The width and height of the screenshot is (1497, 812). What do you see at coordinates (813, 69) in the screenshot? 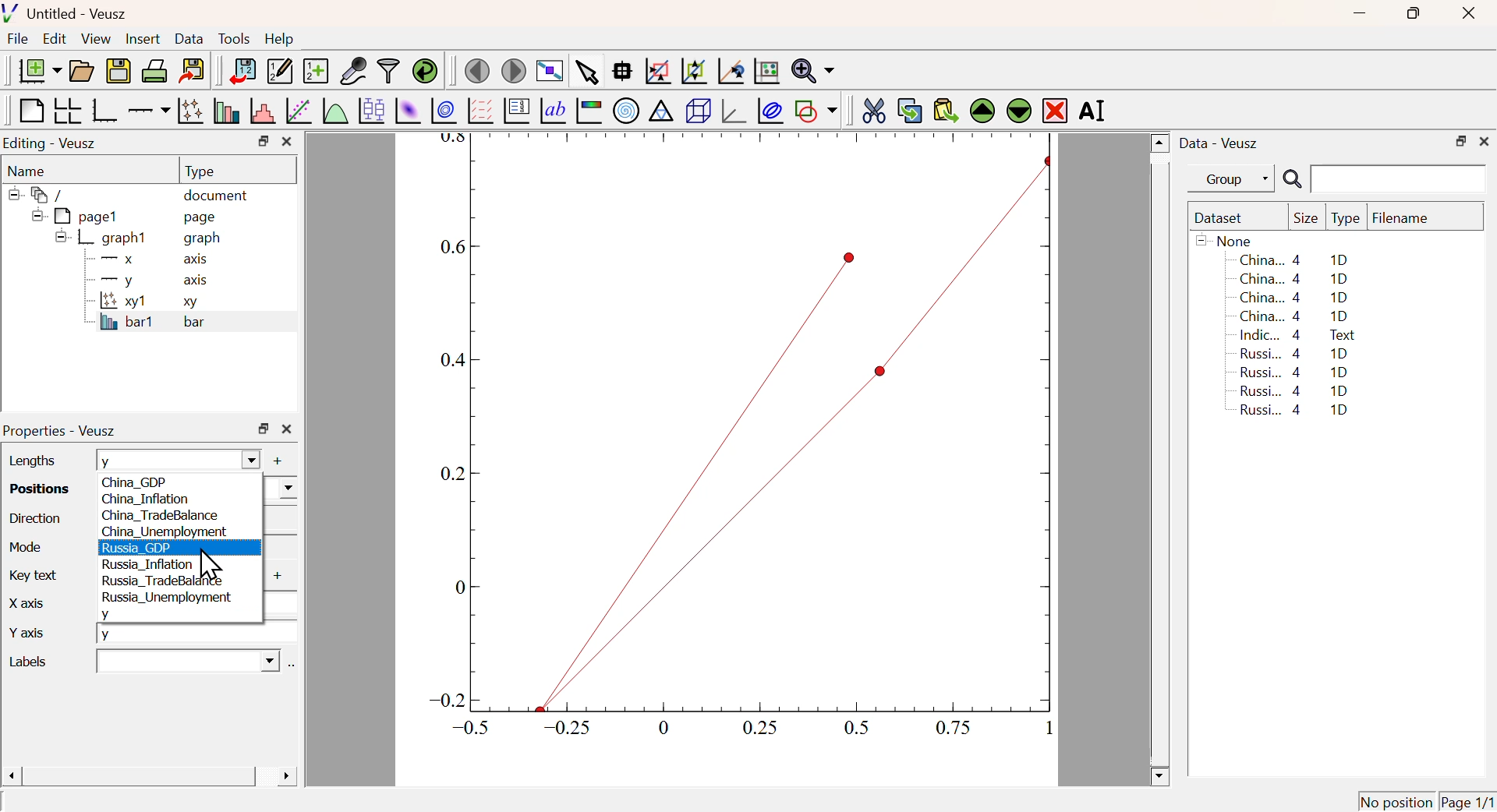
I see `Zoom function menu` at bounding box center [813, 69].